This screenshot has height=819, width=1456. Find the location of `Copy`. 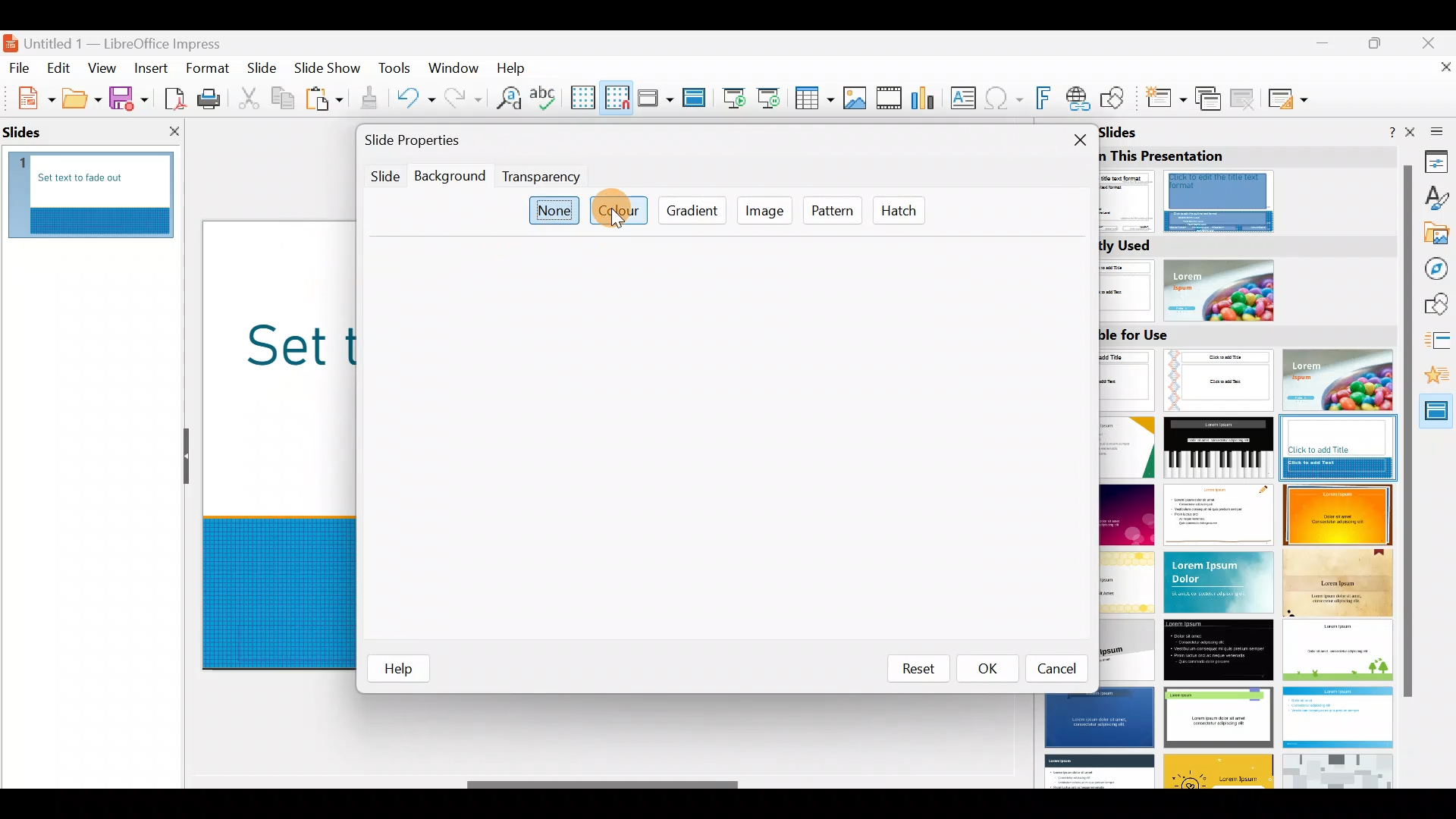

Copy is located at coordinates (281, 99).